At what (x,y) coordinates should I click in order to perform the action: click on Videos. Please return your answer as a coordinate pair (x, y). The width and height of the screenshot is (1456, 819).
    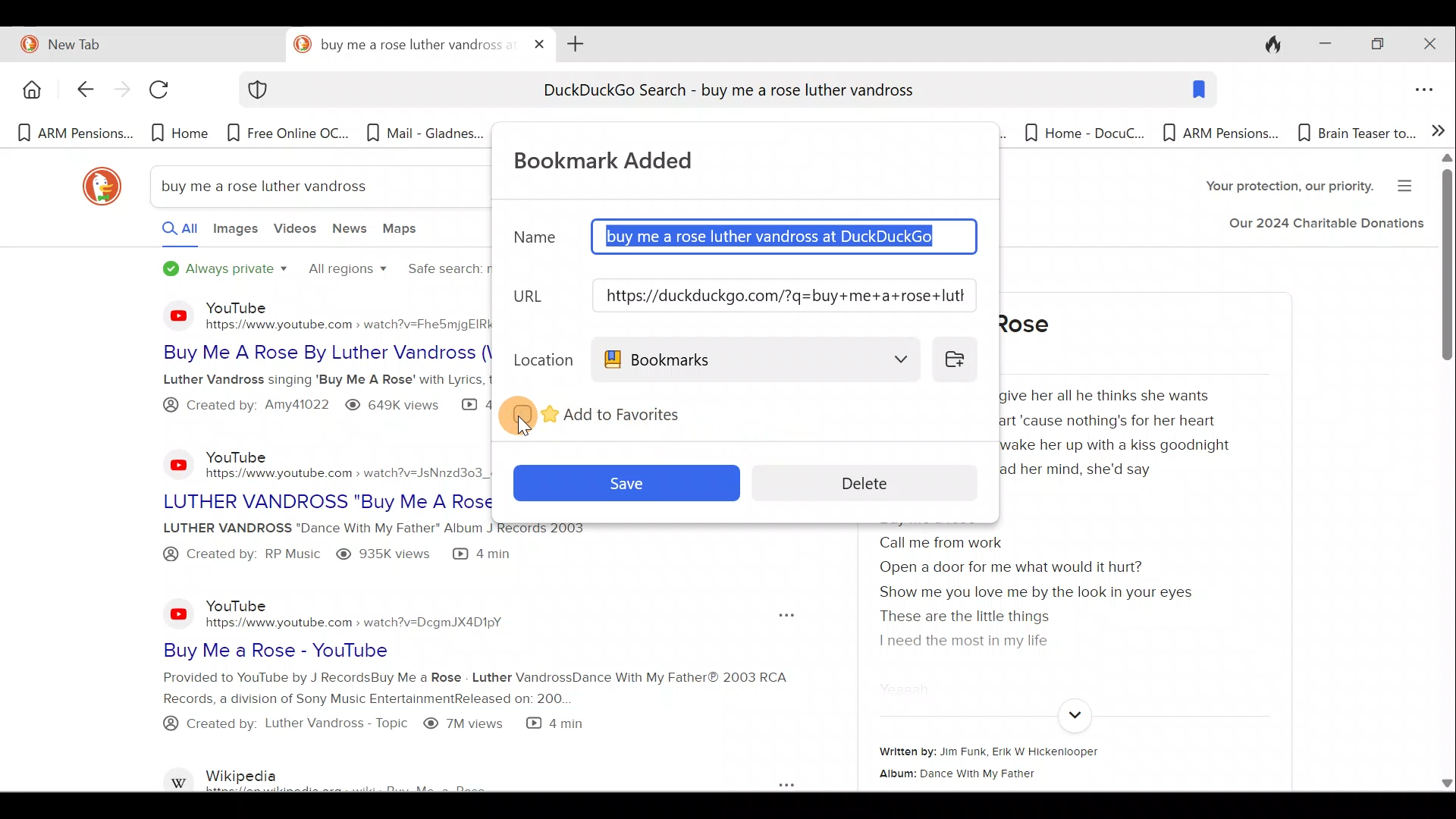
    Looking at the image, I should click on (295, 234).